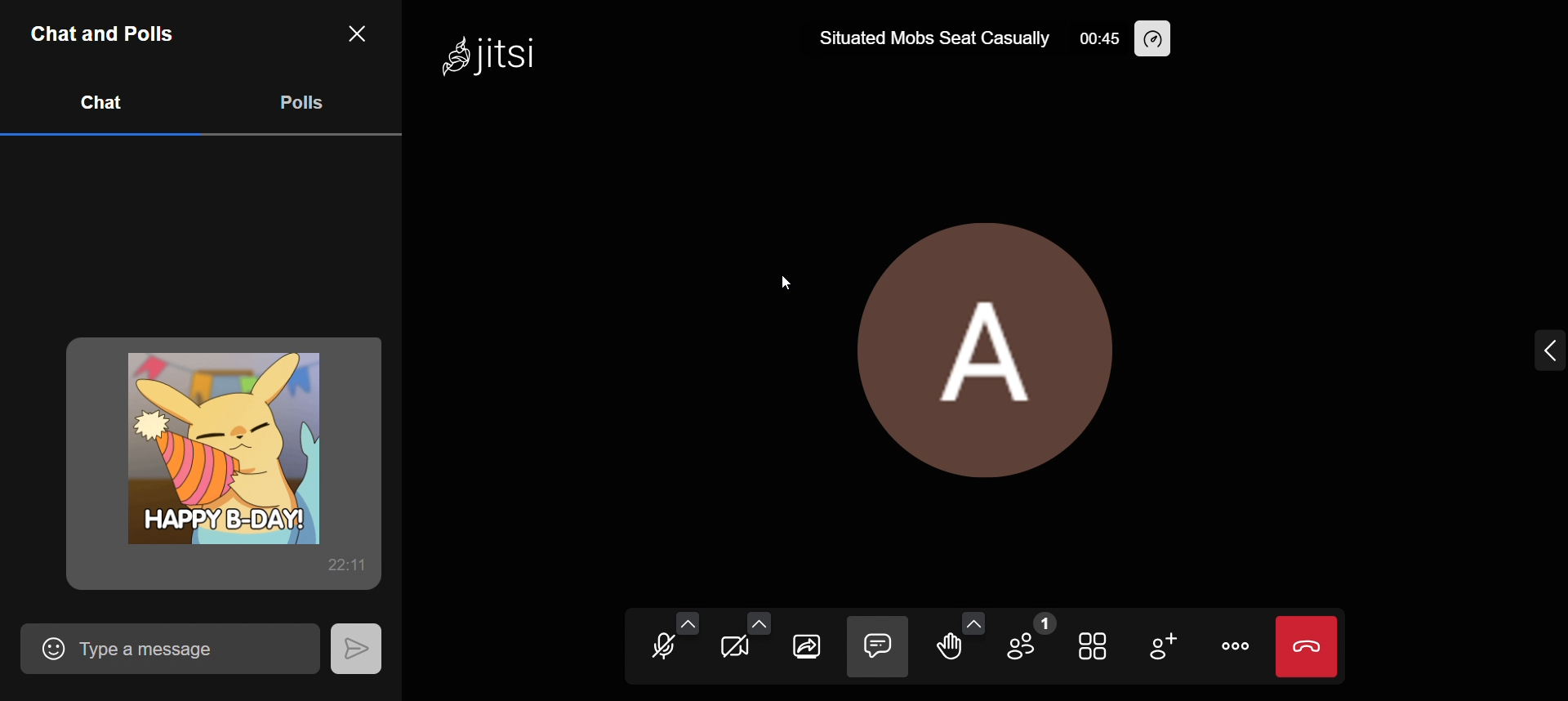  What do you see at coordinates (106, 37) in the screenshot?
I see `Chat and Polls` at bounding box center [106, 37].